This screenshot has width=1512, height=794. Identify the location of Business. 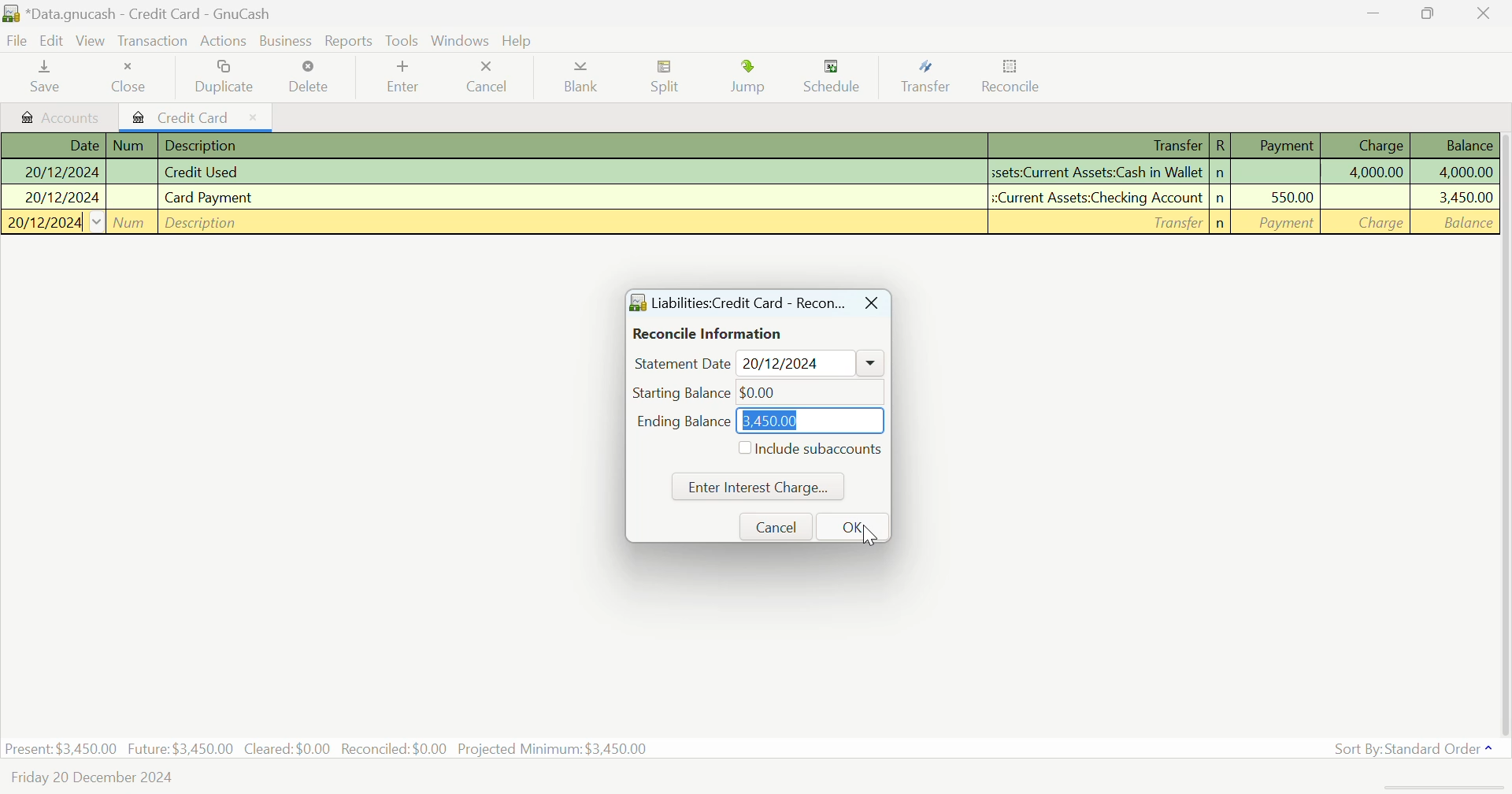
(284, 39).